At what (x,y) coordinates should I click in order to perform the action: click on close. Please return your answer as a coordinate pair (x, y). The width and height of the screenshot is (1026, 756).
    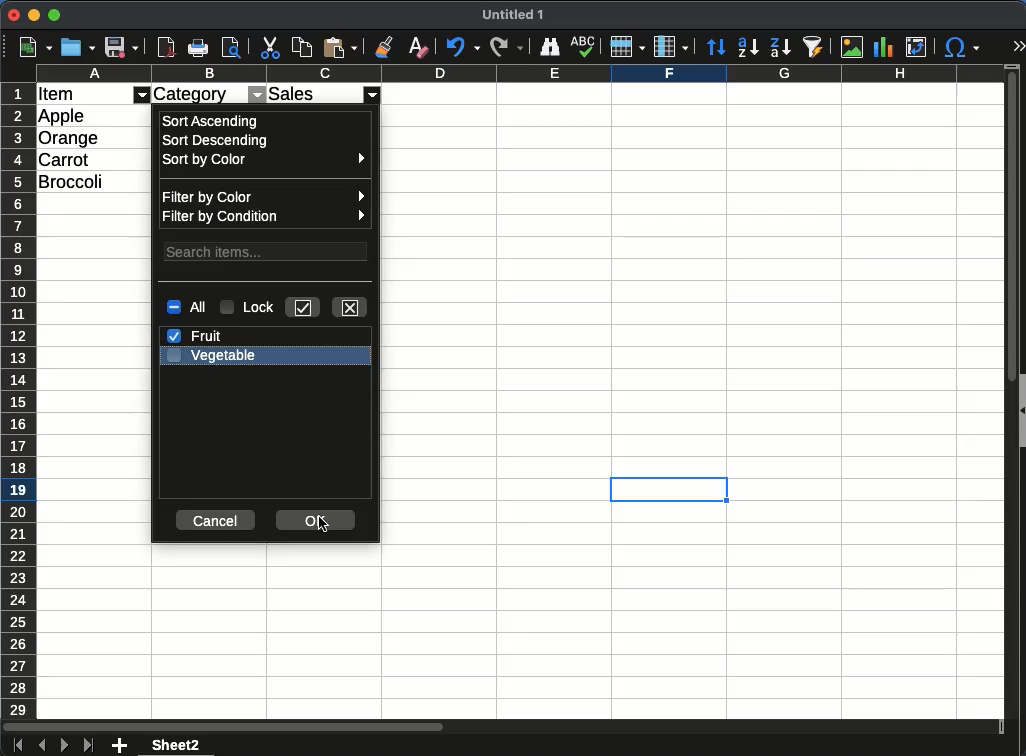
    Looking at the image, I should click on (351, 308).